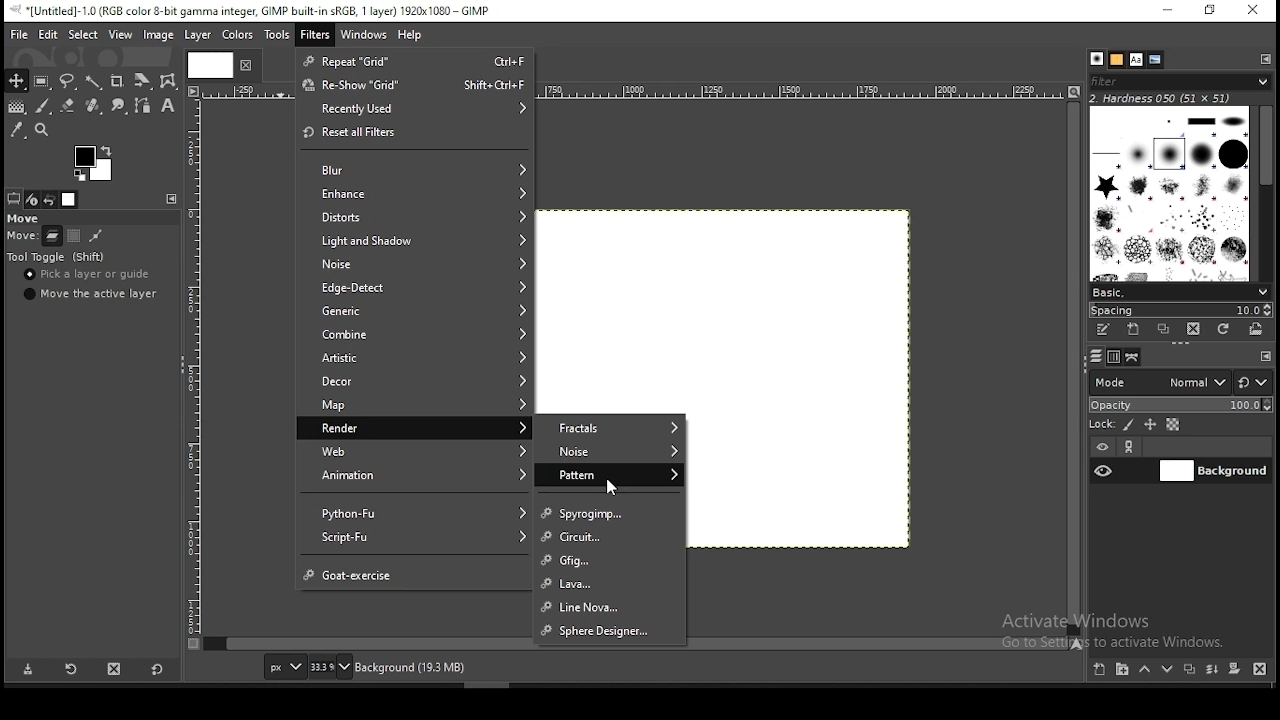  Describe the element at coordinates (416, 109) in the screenshot. I see `recently used` at that location.